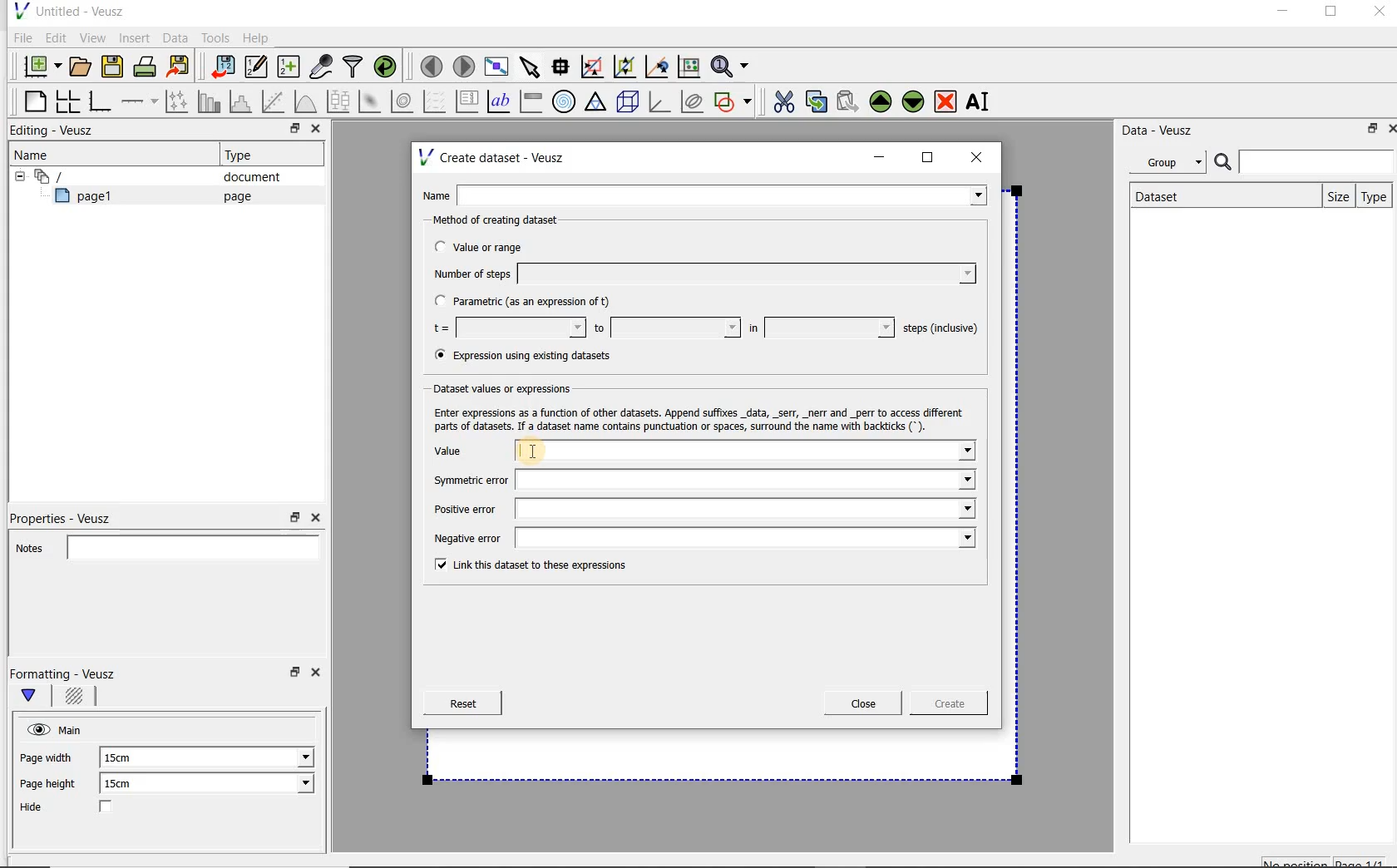 This screenshot has height=868, width=1397. I want to click on maximize, so click(1331, 14).